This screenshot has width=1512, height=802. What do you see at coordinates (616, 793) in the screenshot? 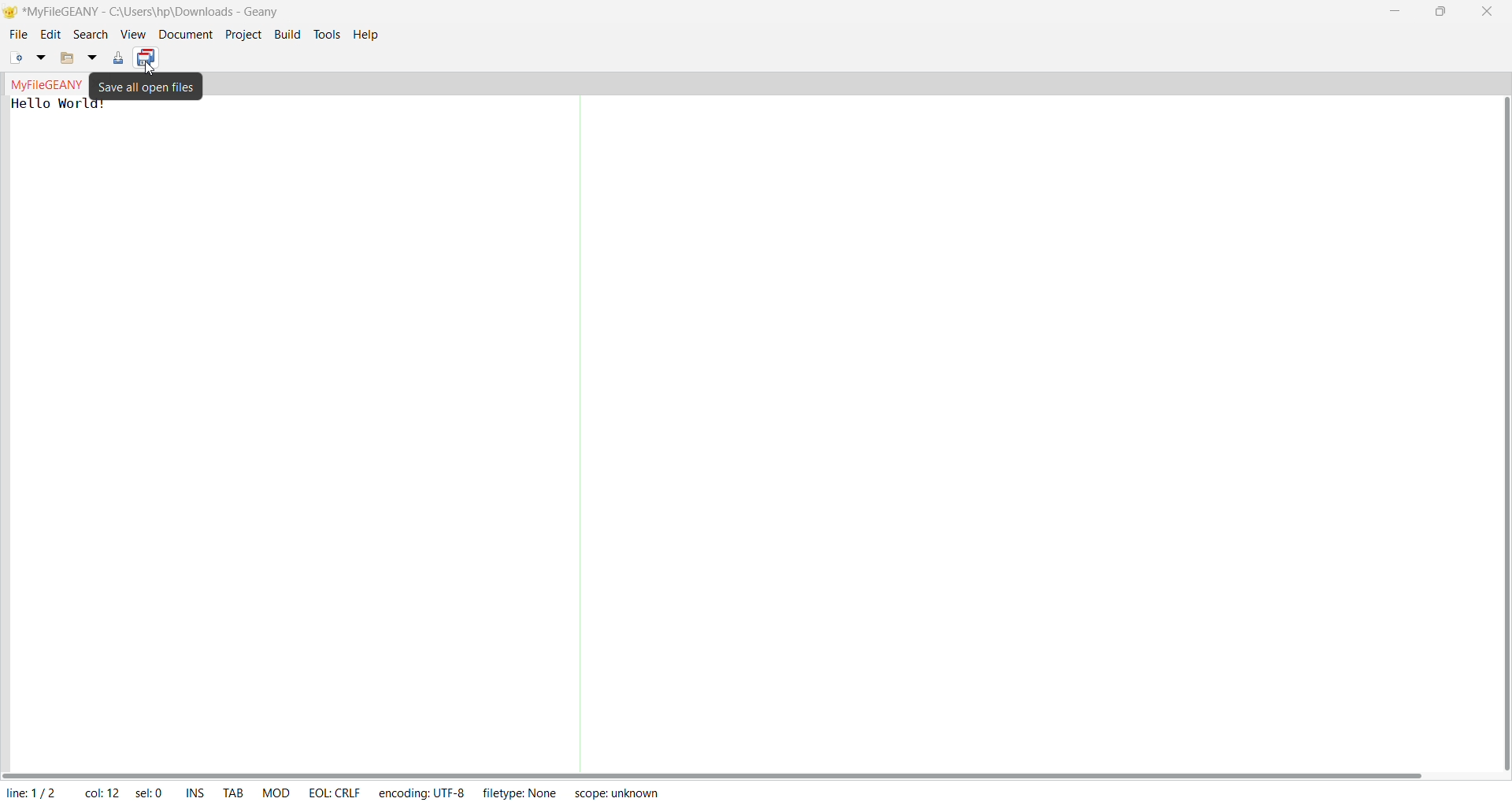
I see `Scope Unknown` at bounding box center [616, 793].